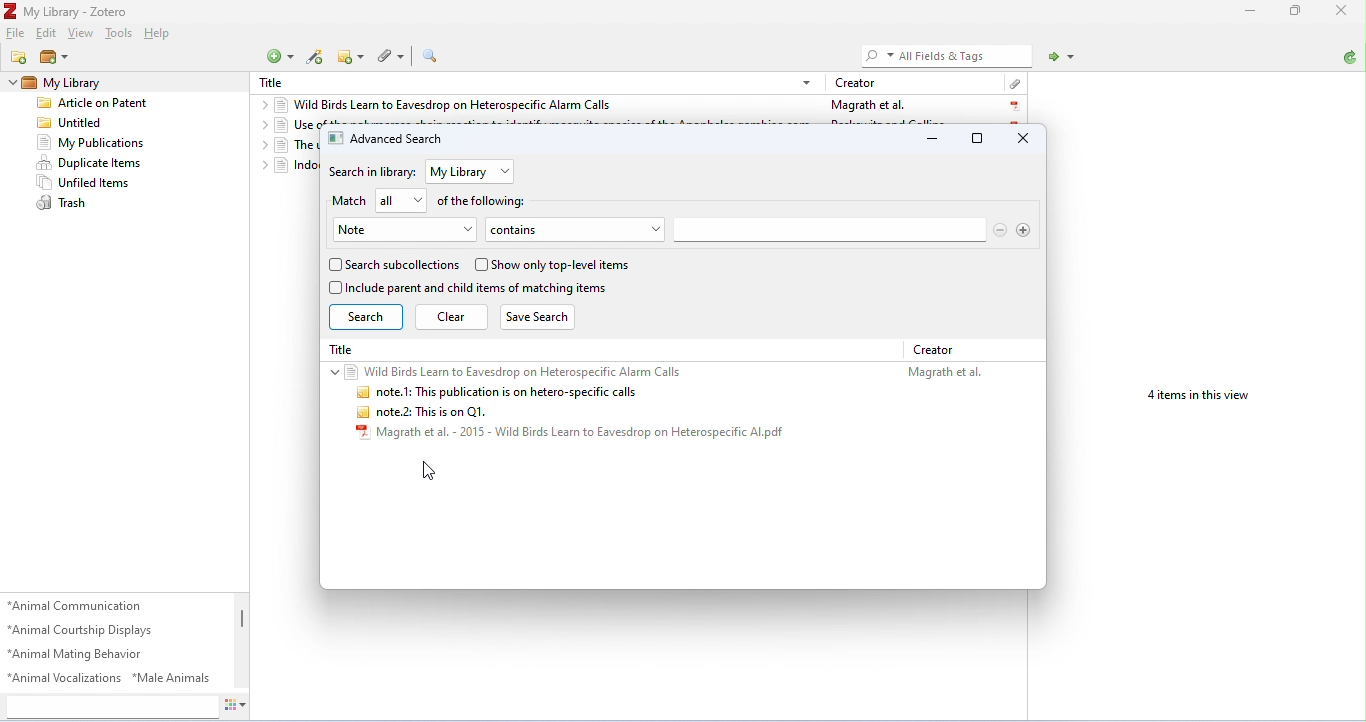  What do you see at coordinates (452, 316) in the screenshot?
I see `clear` at bounding box center [452, 316].